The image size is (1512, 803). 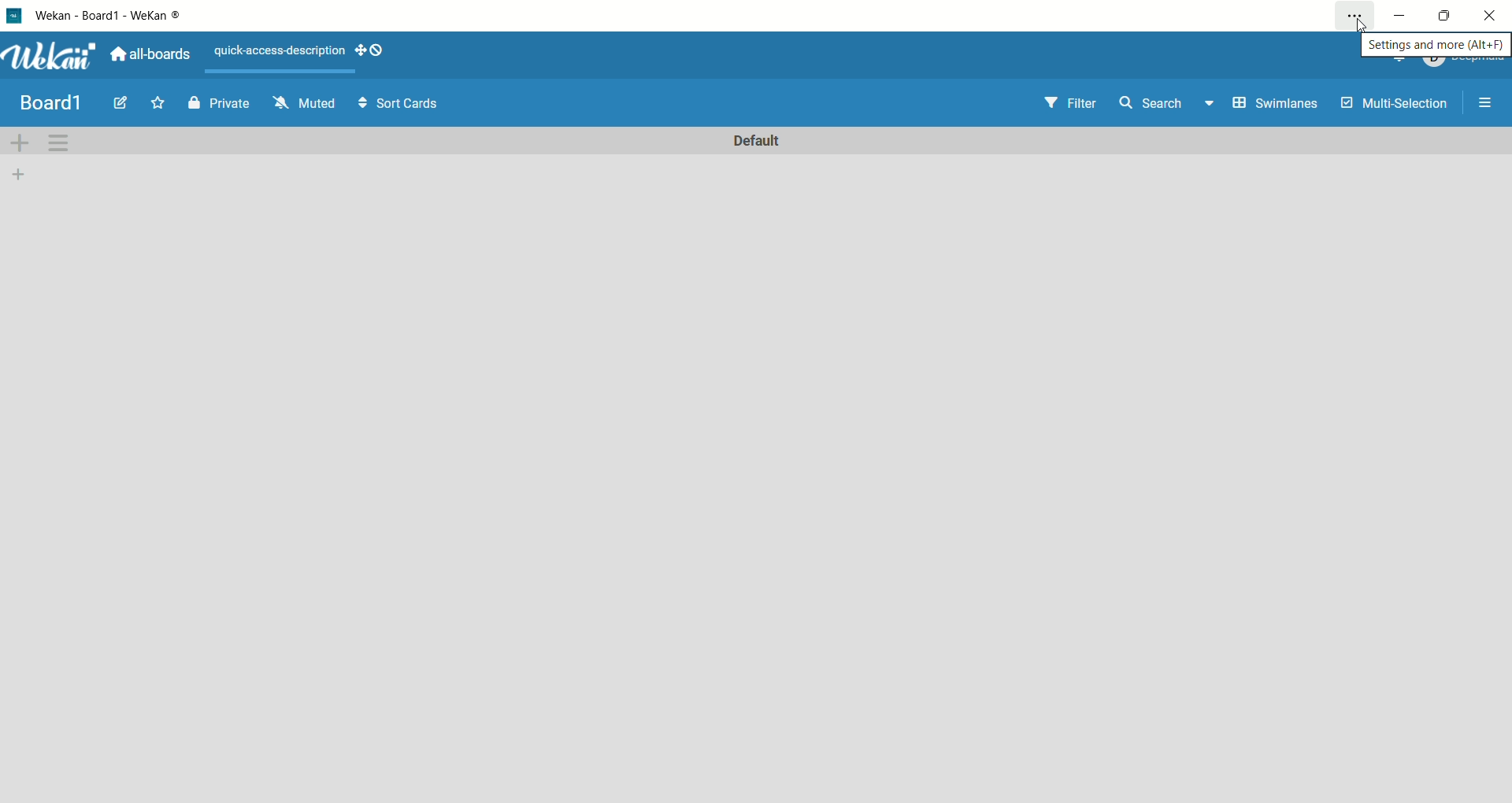 What do you see at coordinates (21, 145) in the screenshot?
I see `add swimlane` at bounding box center [21, 145].